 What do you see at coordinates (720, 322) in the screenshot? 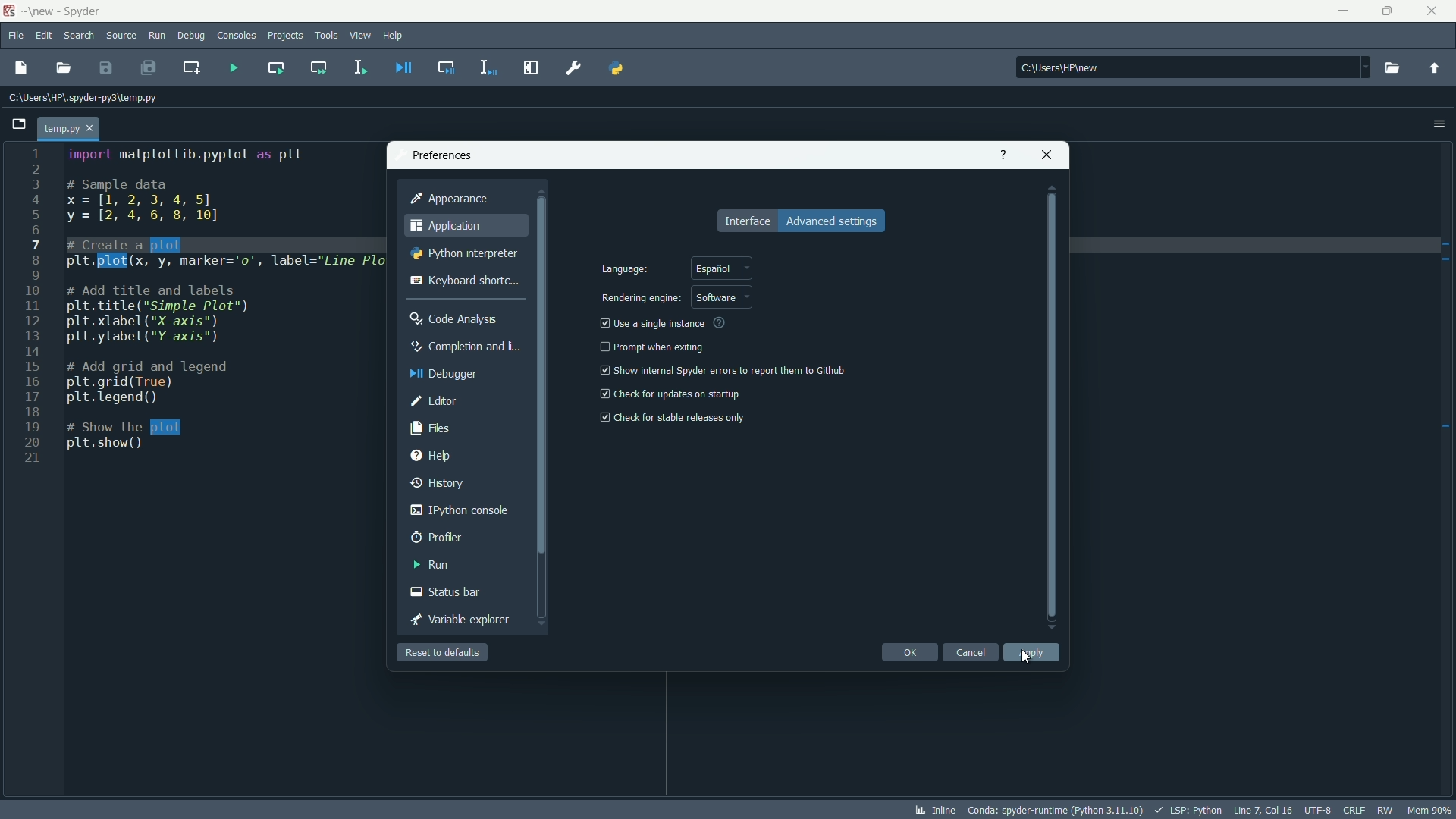
I see `see more info` at bounding box center [720, 322].